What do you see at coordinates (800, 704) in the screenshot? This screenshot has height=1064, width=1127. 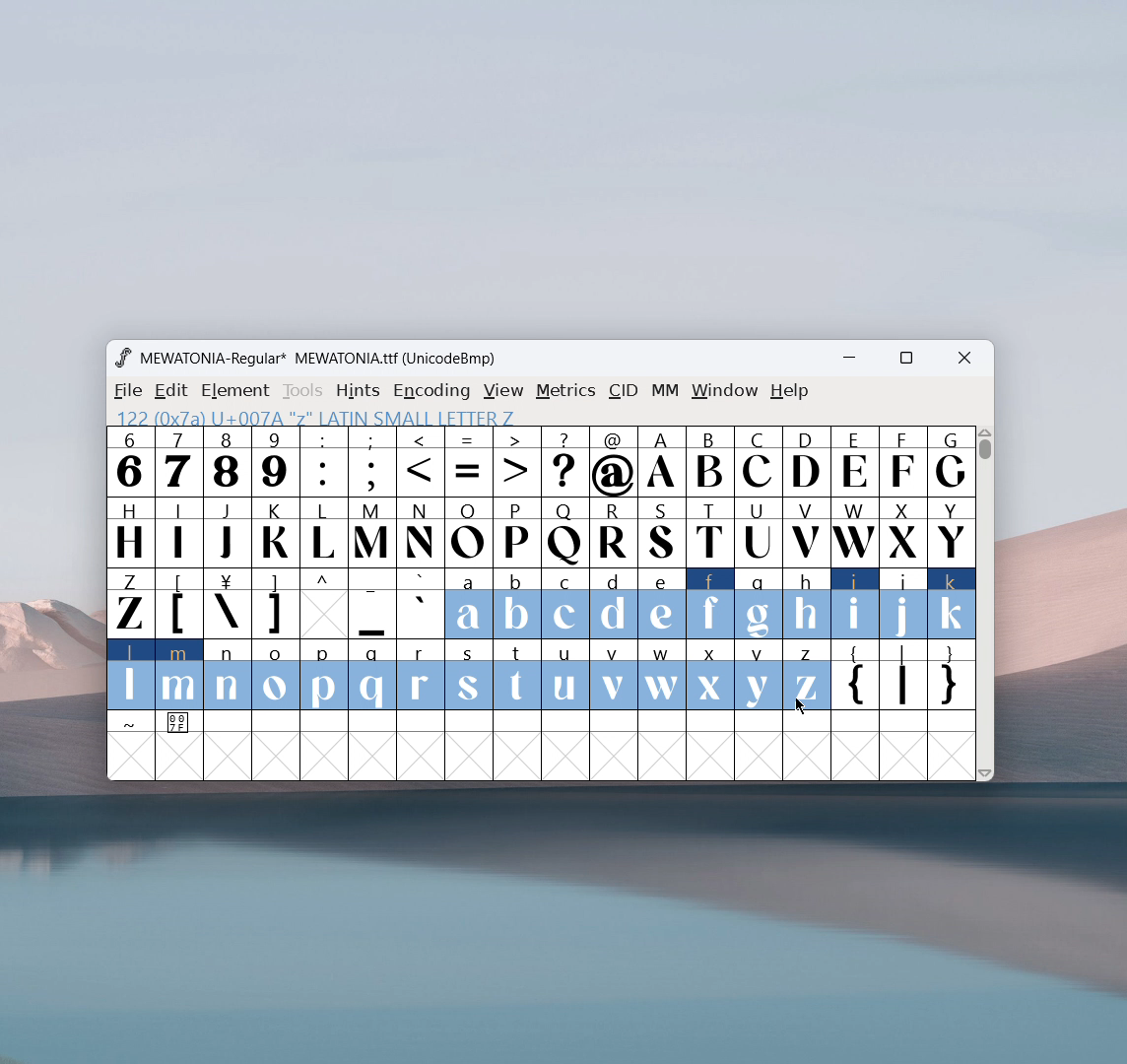 I see `cursor` at bounding box center [800, 704].